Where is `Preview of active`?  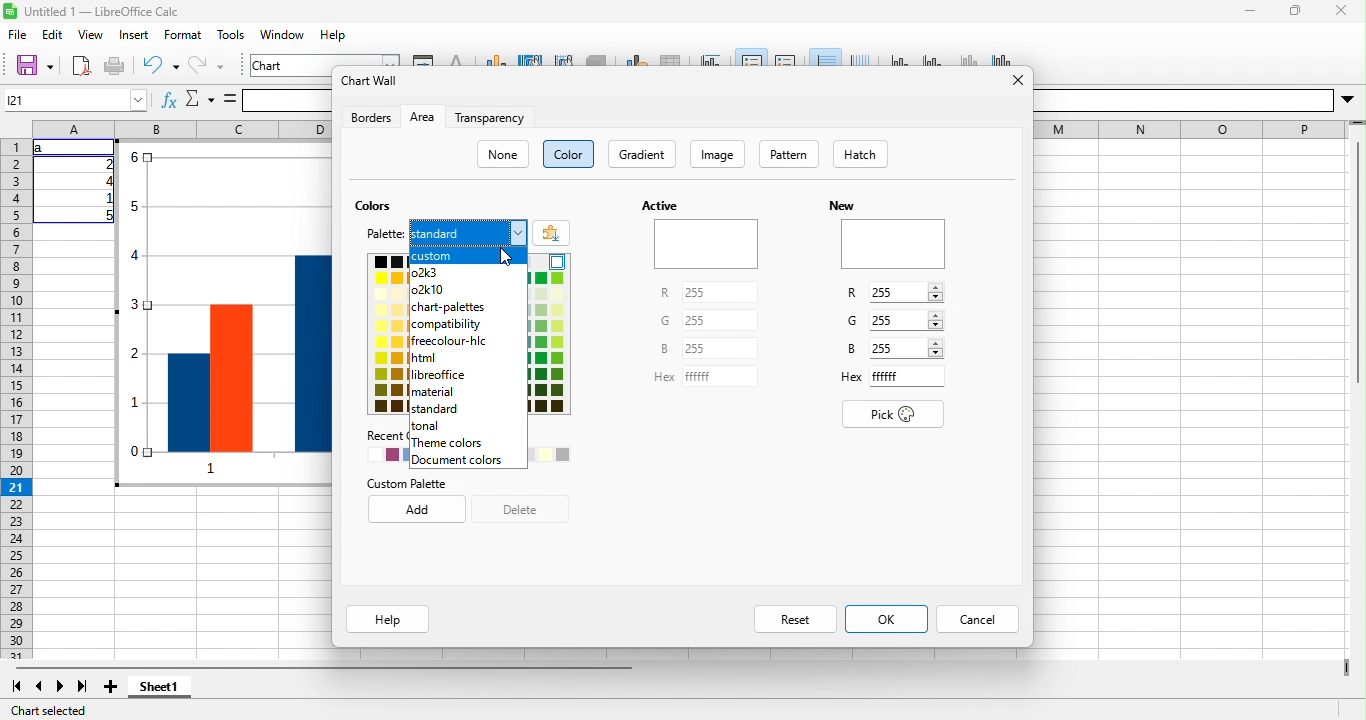
Preview of active is located at coordinates (706, 244).